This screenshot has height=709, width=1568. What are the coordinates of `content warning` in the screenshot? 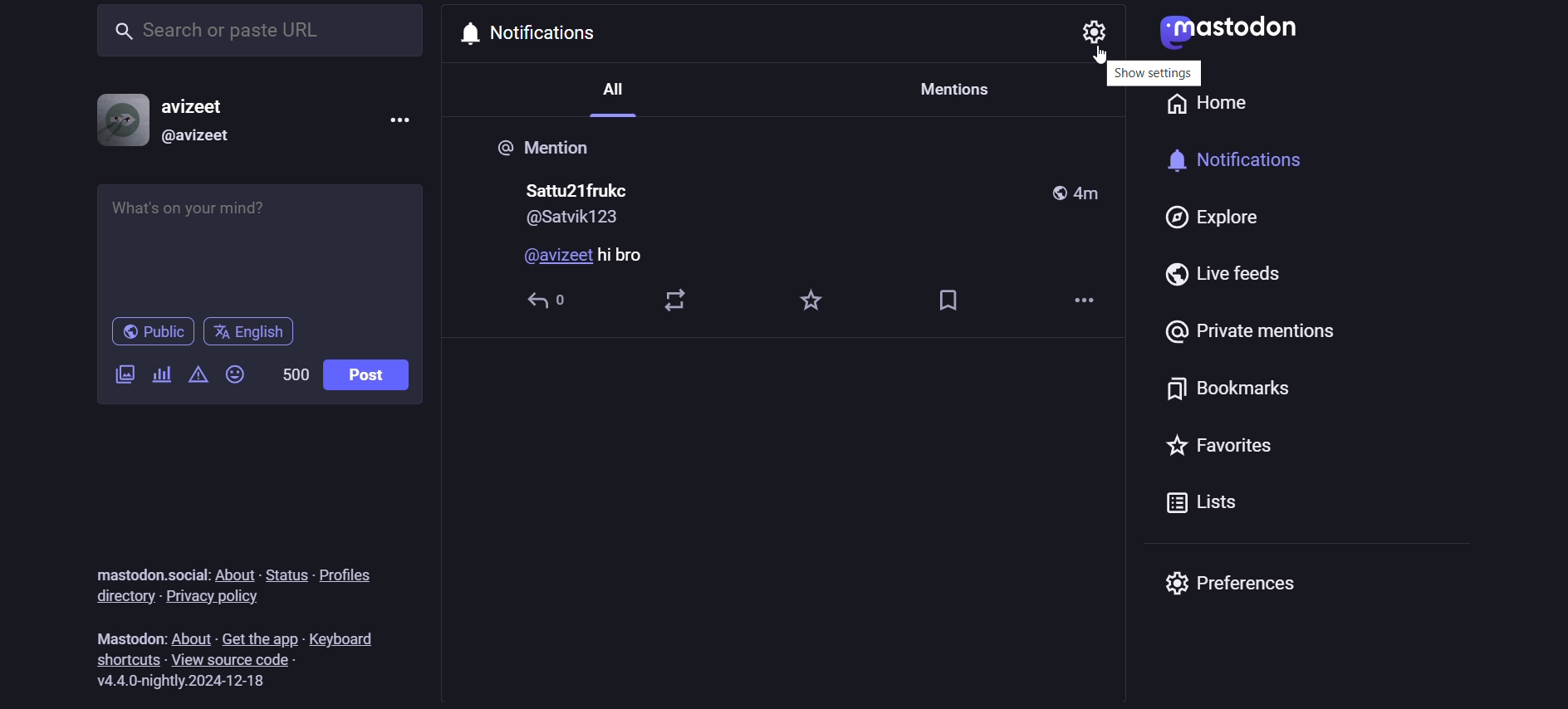 It's located at (198, 374).